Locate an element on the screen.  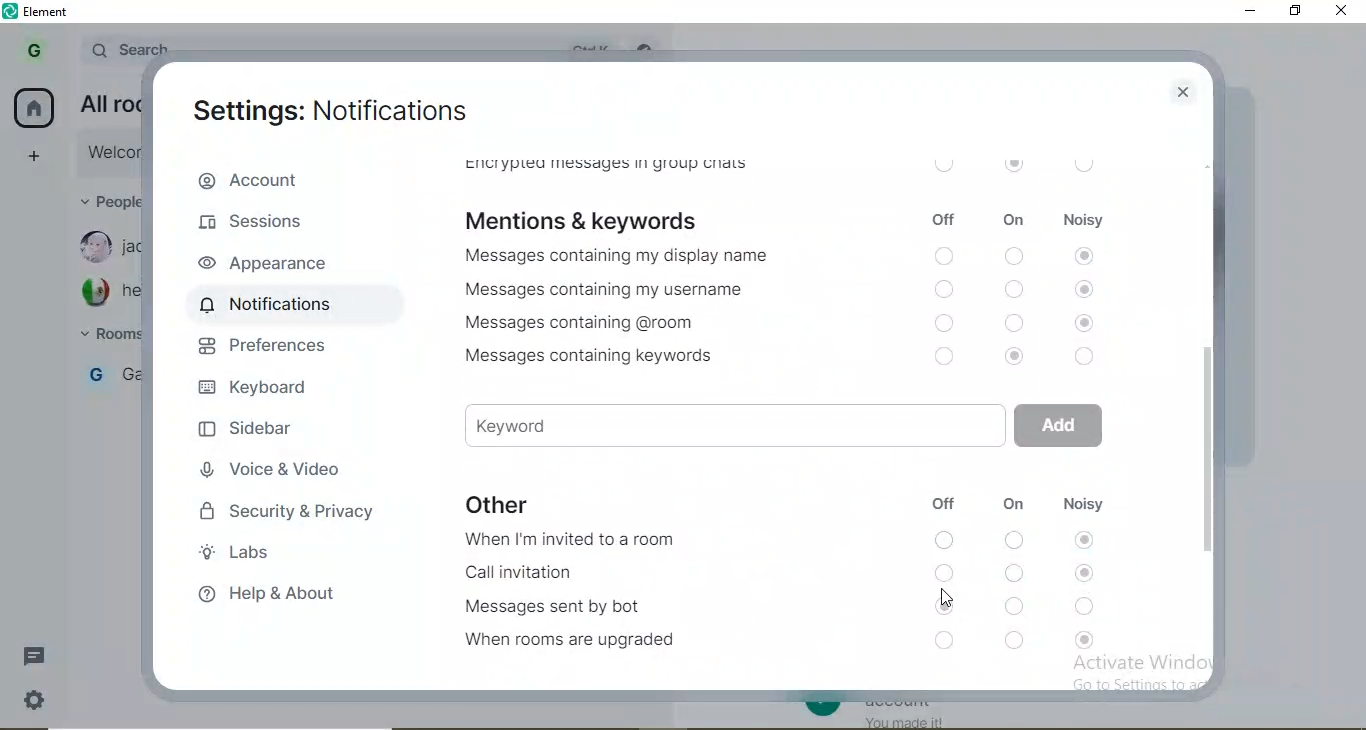
Messages containing @room is located at coordinates (589, 323).